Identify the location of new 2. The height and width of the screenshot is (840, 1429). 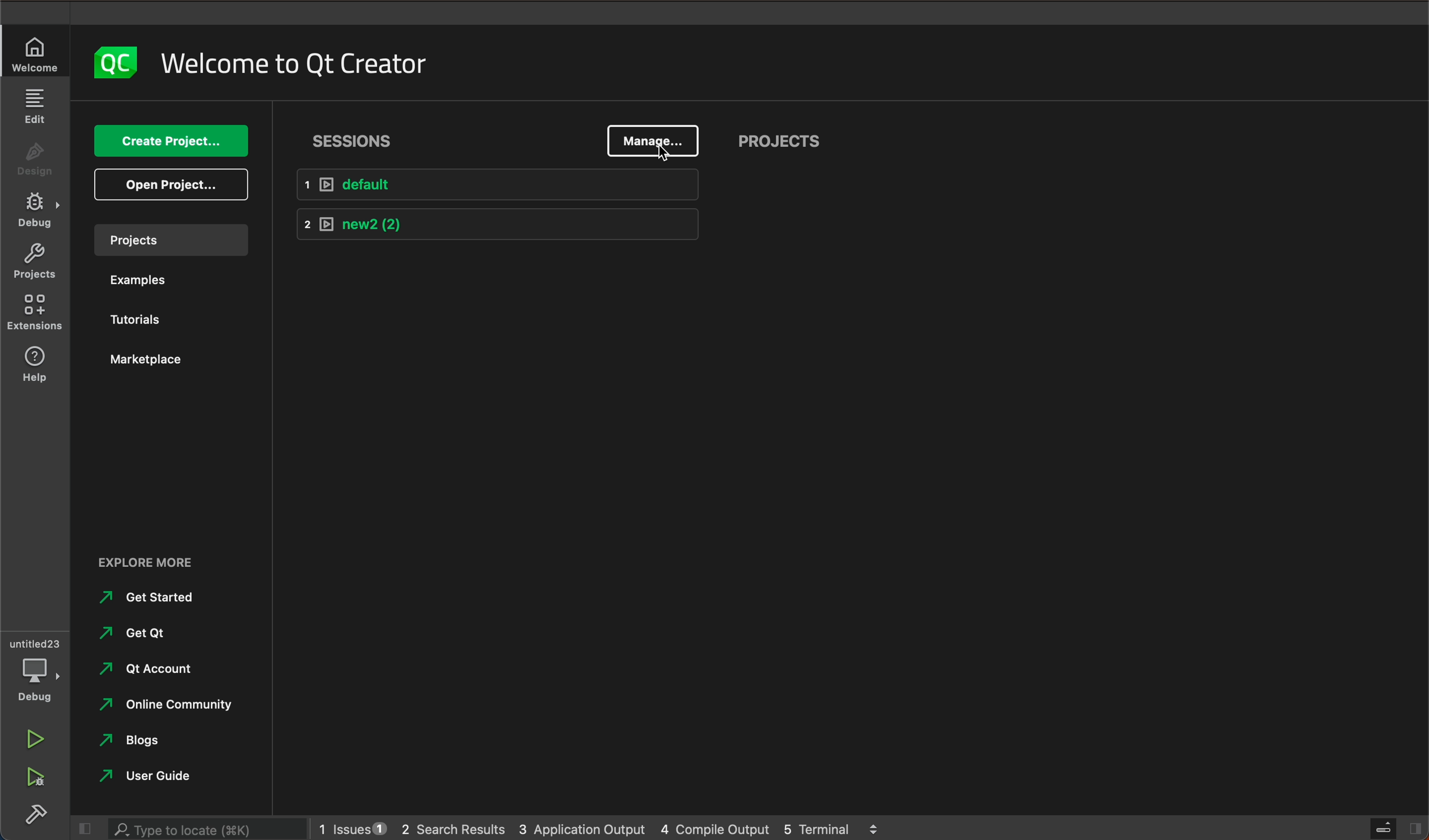
(497, 226).